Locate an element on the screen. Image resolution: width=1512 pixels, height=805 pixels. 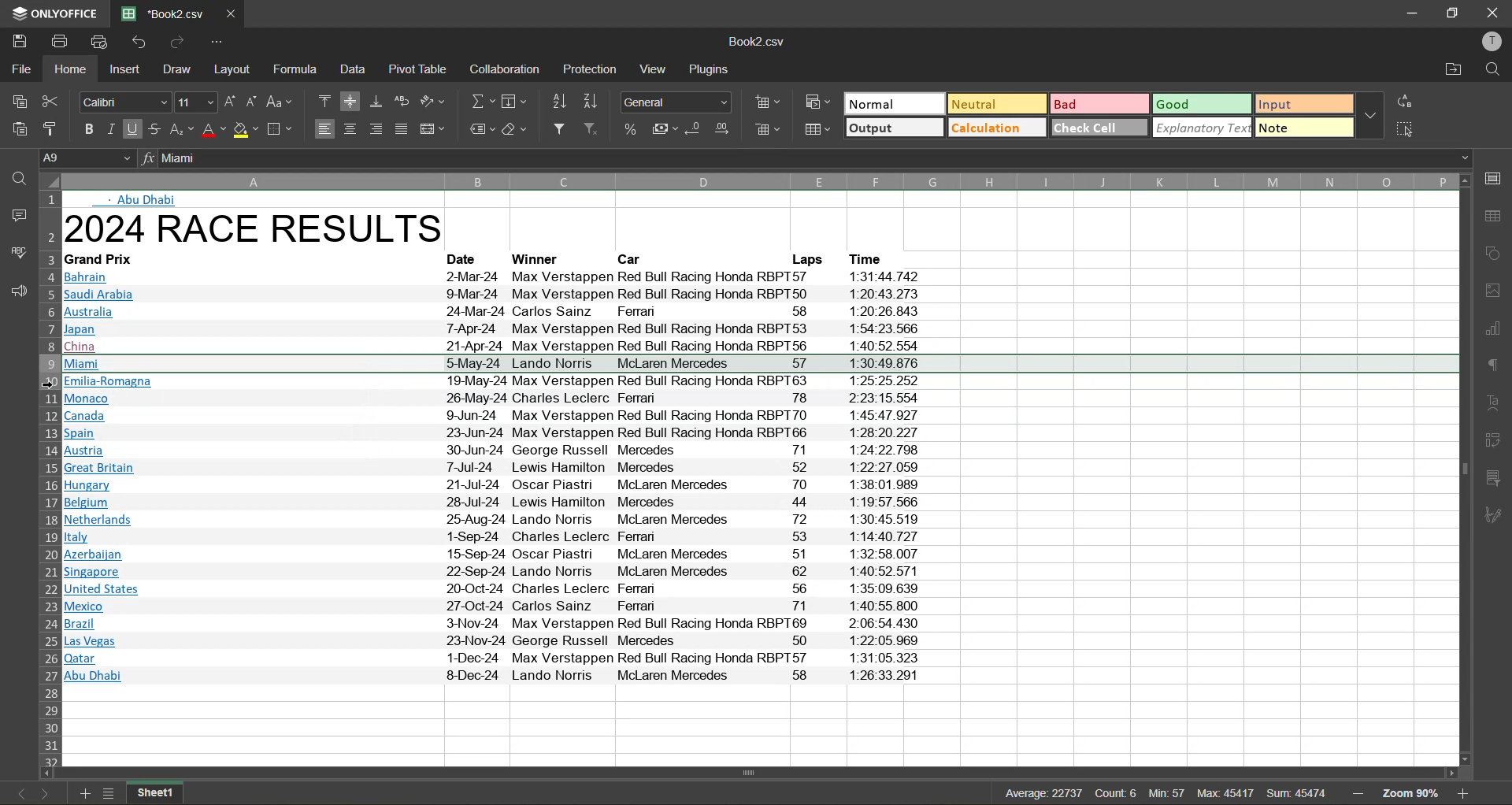
Average: 22737 is located at coordinates (1044, 793).